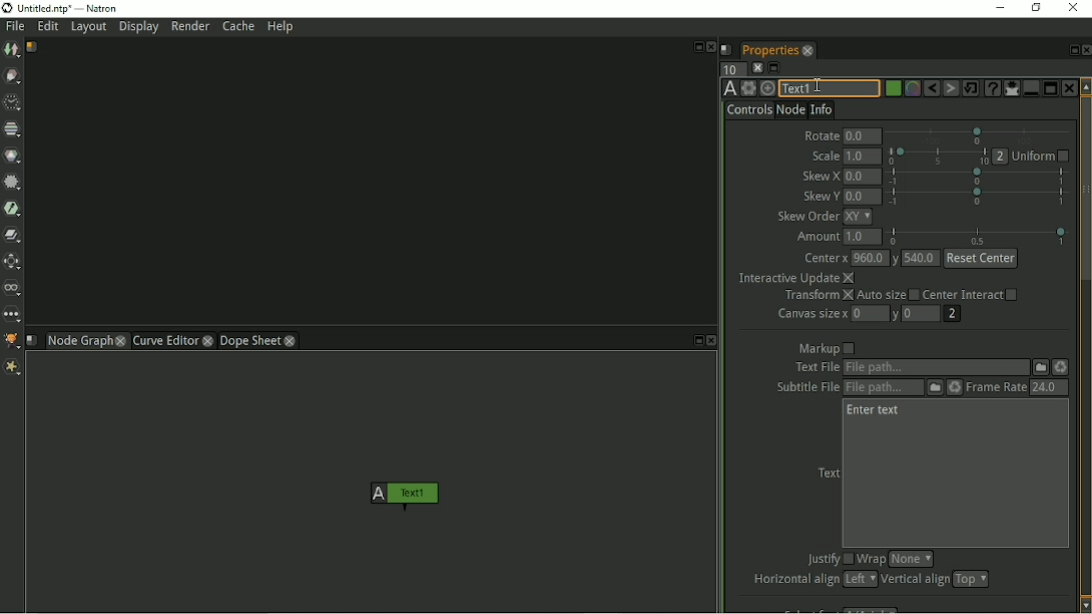 This screenshot has height=614, width=1092. I want to click on Uniform, so click(1041, 157).